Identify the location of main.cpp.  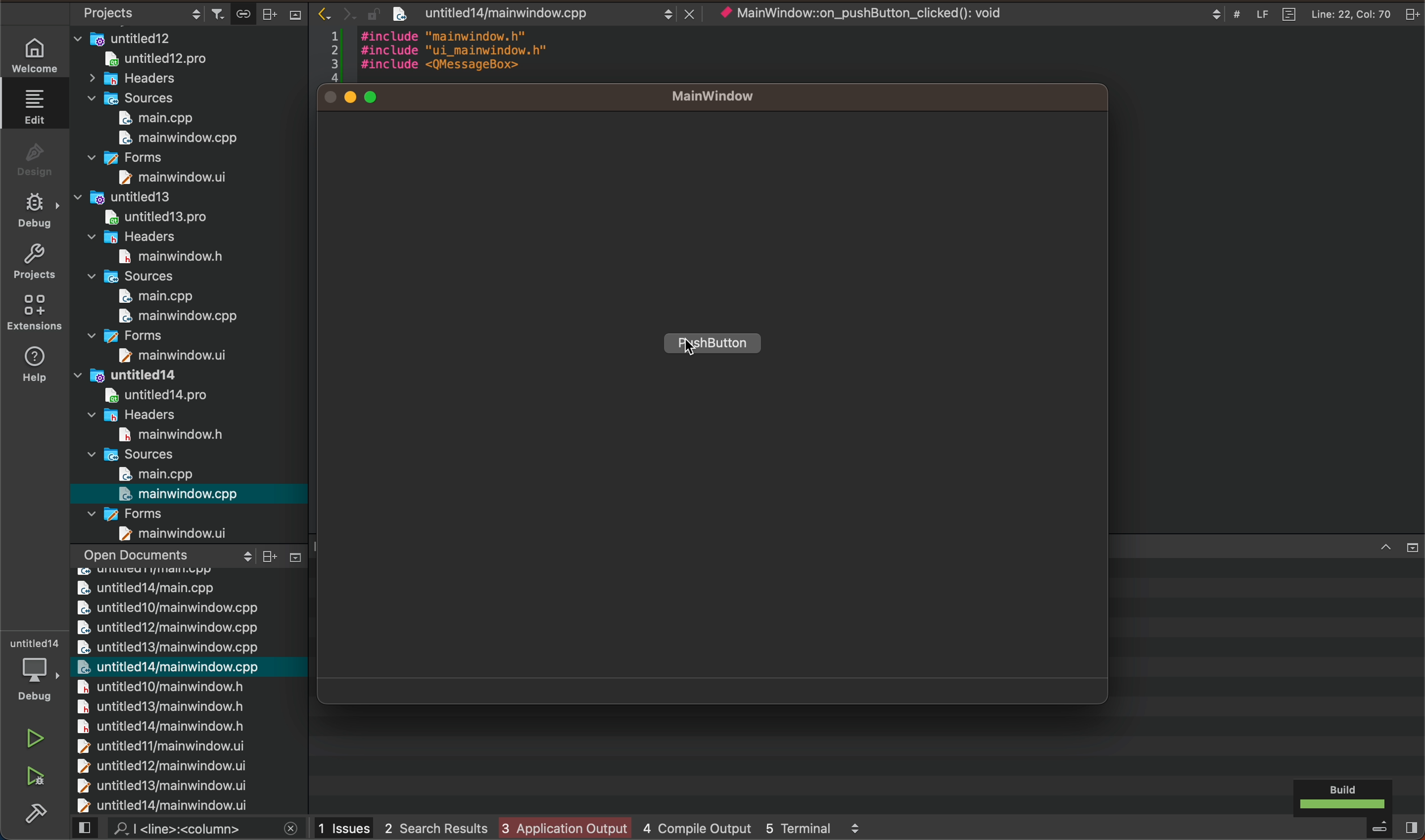
(147, 297).